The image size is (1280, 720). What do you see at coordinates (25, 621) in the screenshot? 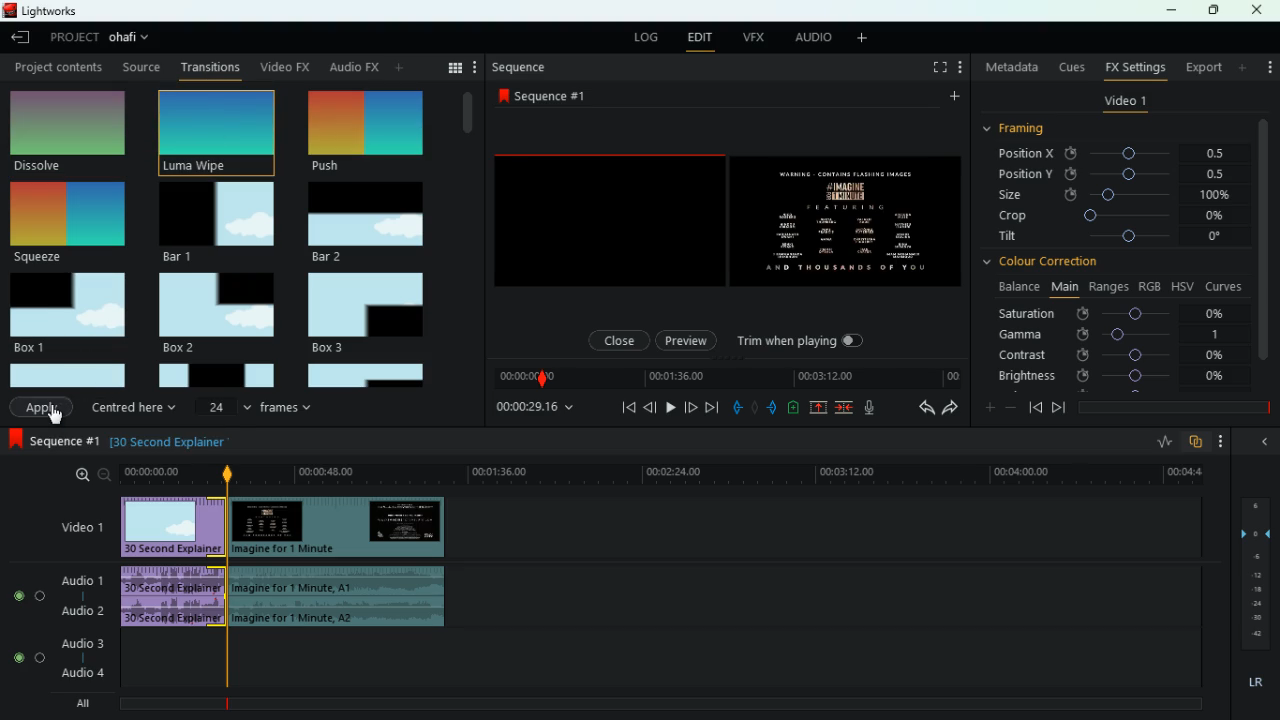
I see `radio button` at bounding box center [25, 621].